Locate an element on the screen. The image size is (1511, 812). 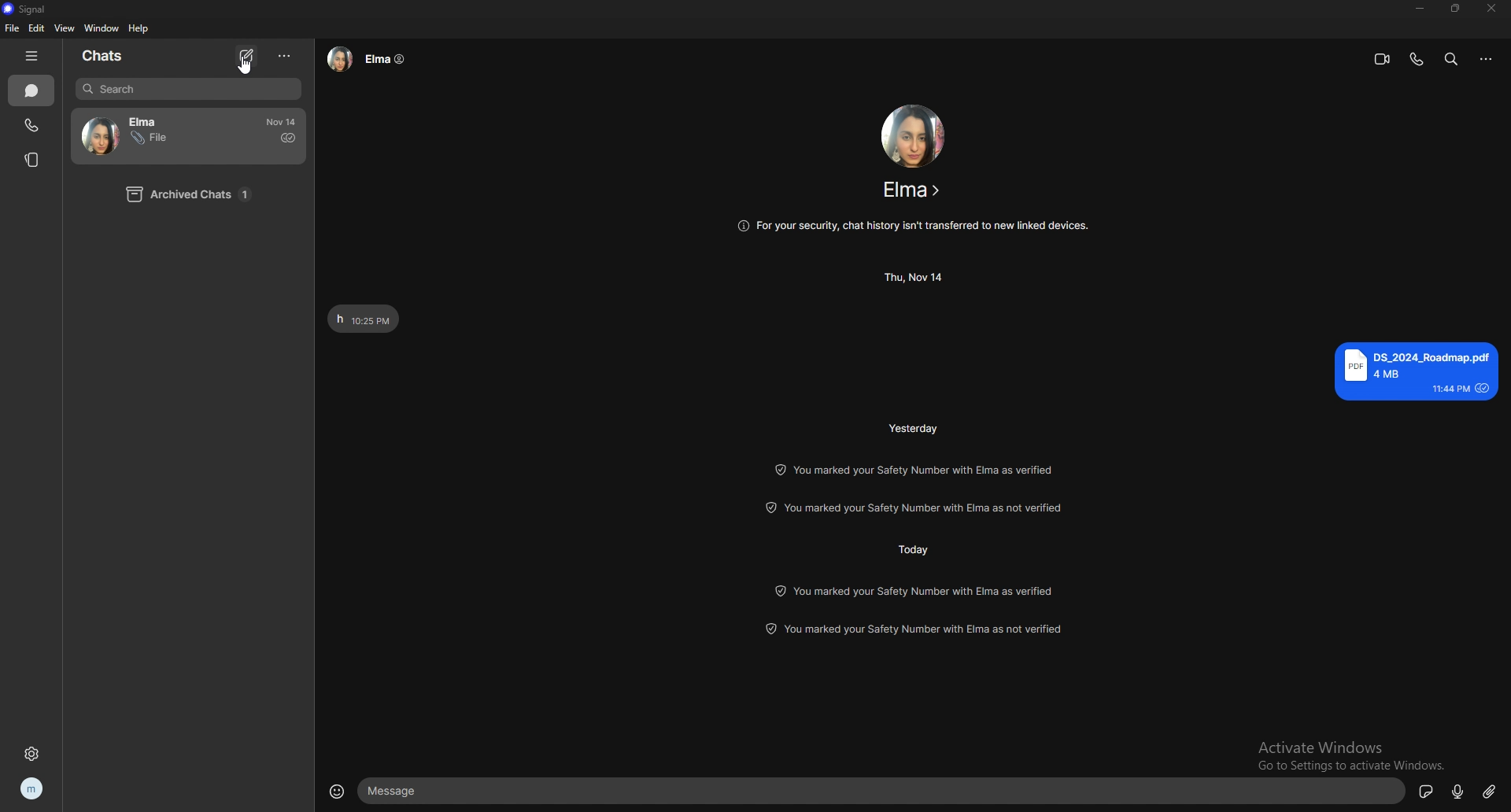
text is located at coordinates (1417, 371).